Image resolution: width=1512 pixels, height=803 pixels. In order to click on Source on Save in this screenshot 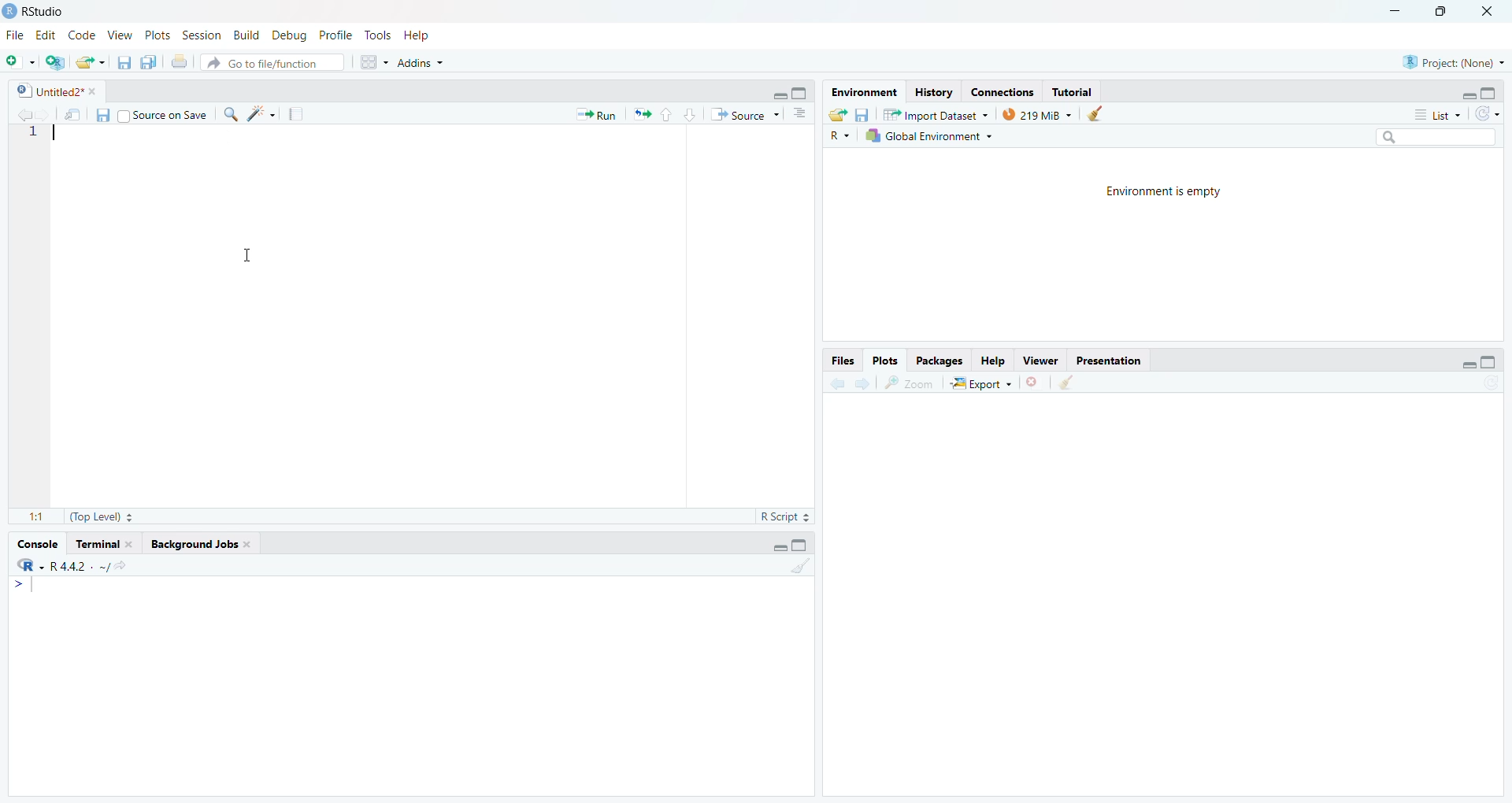, I will do `click(163, 113)`.